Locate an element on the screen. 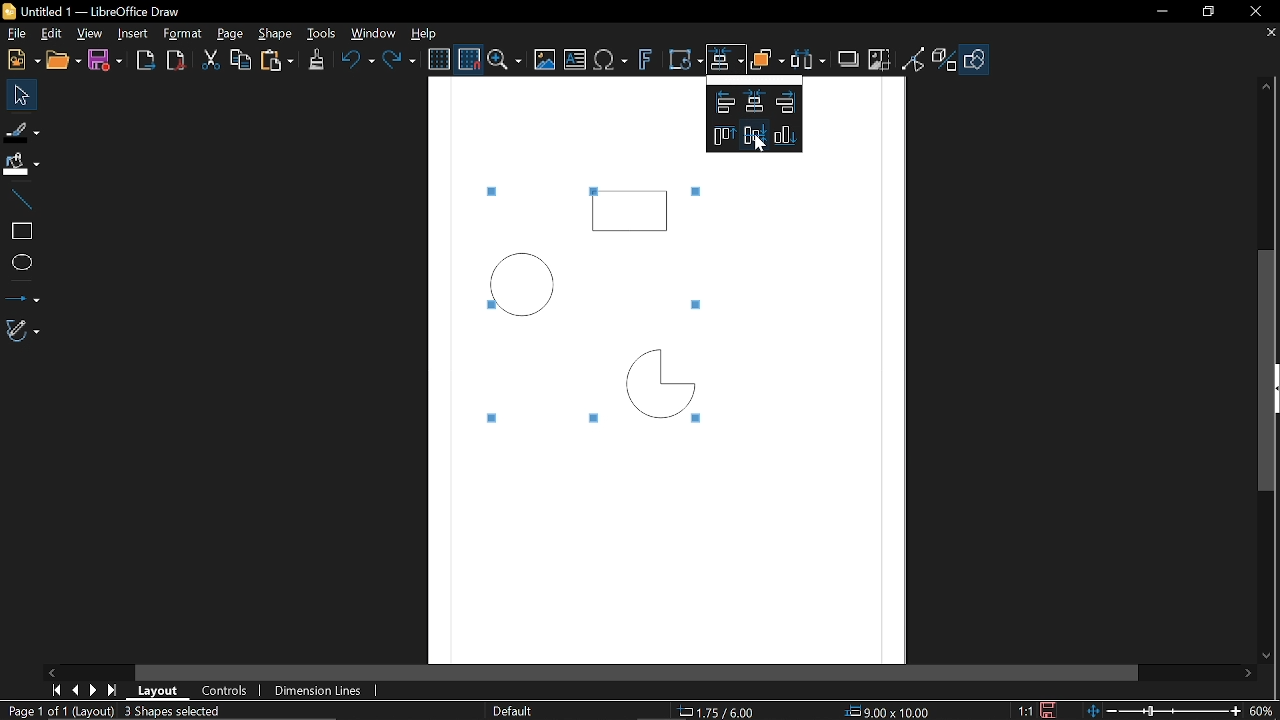 This screenshot has width=1280, height=720. Redo is located at coordinates (400, 61).